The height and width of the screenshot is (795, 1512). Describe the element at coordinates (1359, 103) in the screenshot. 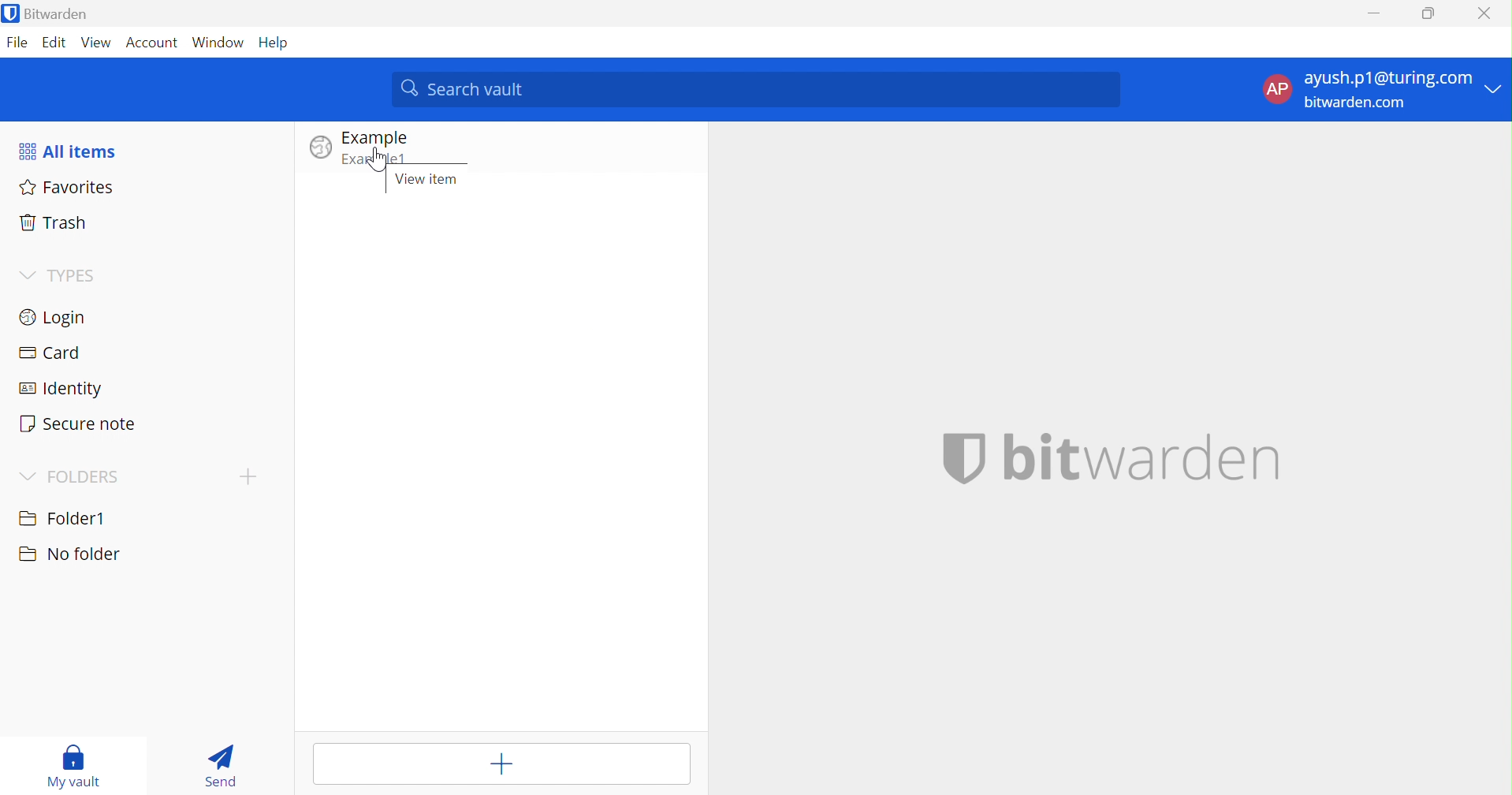

I see `bitwarden.com` at that location.